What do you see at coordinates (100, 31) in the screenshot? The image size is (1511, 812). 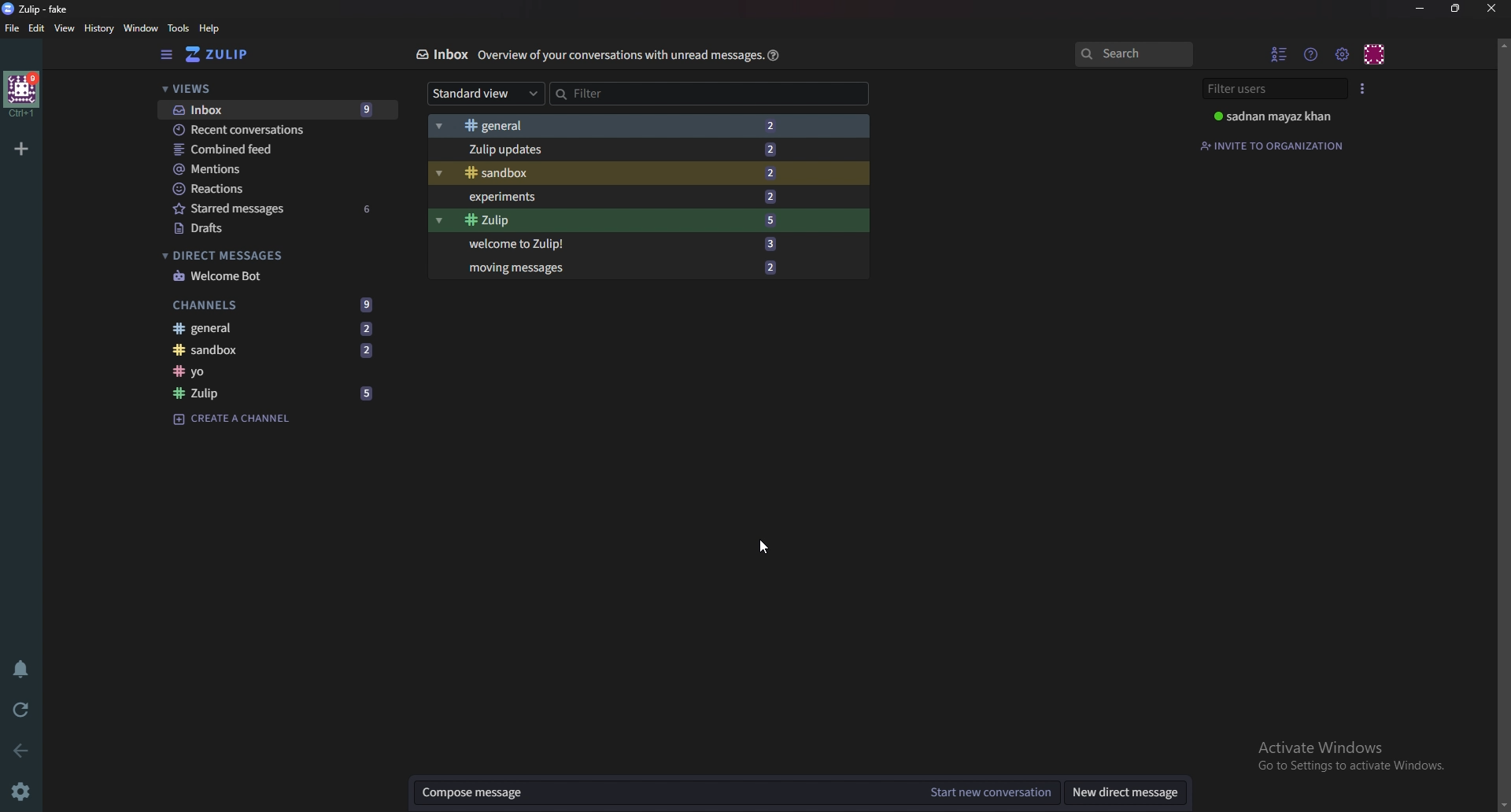 I see `History` at bounding box center [100, 31].